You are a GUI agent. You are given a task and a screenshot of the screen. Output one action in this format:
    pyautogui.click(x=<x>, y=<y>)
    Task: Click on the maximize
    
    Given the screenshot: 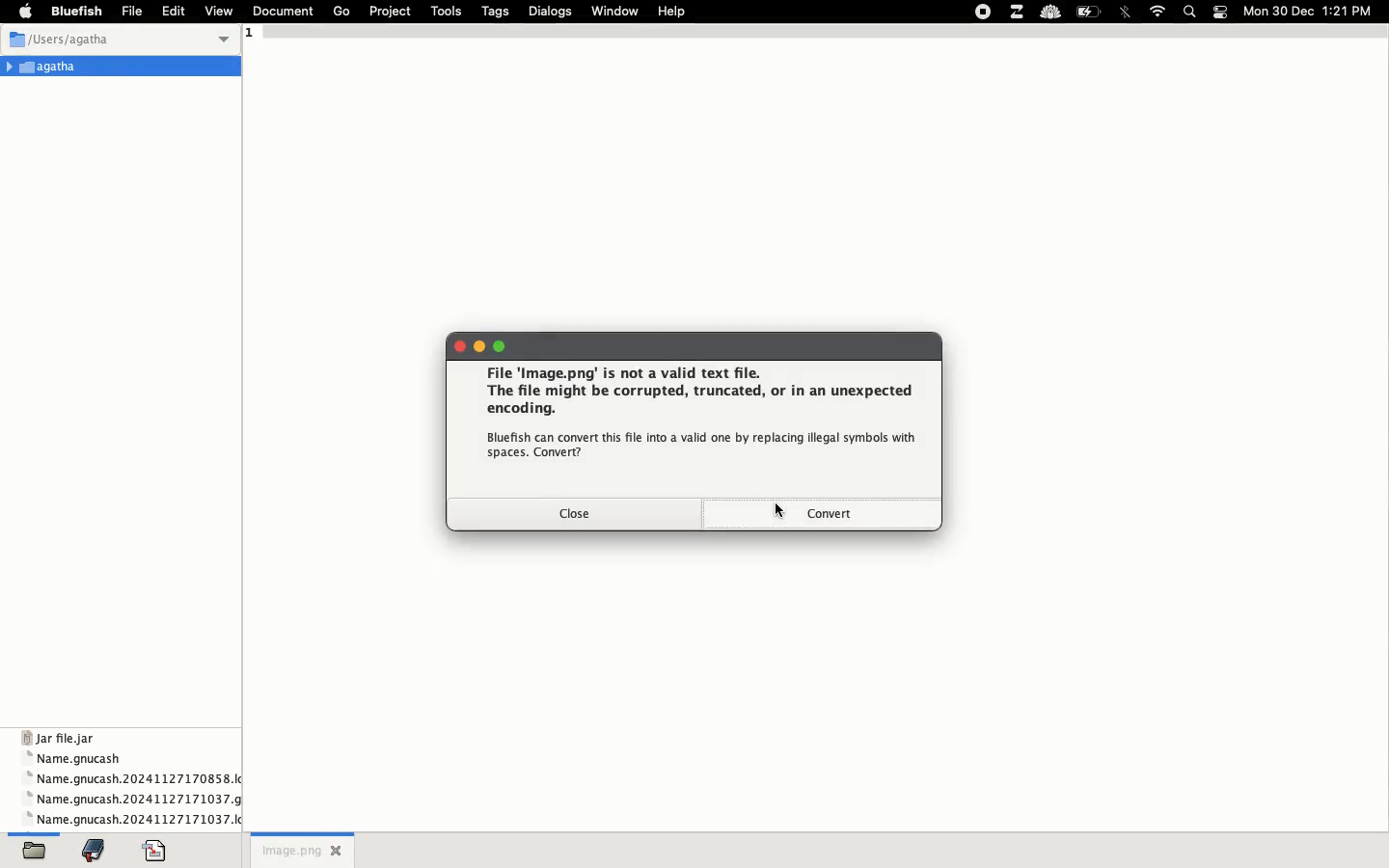 What is the action you would take?
    pyautogui.click(x=498, y=346)
    